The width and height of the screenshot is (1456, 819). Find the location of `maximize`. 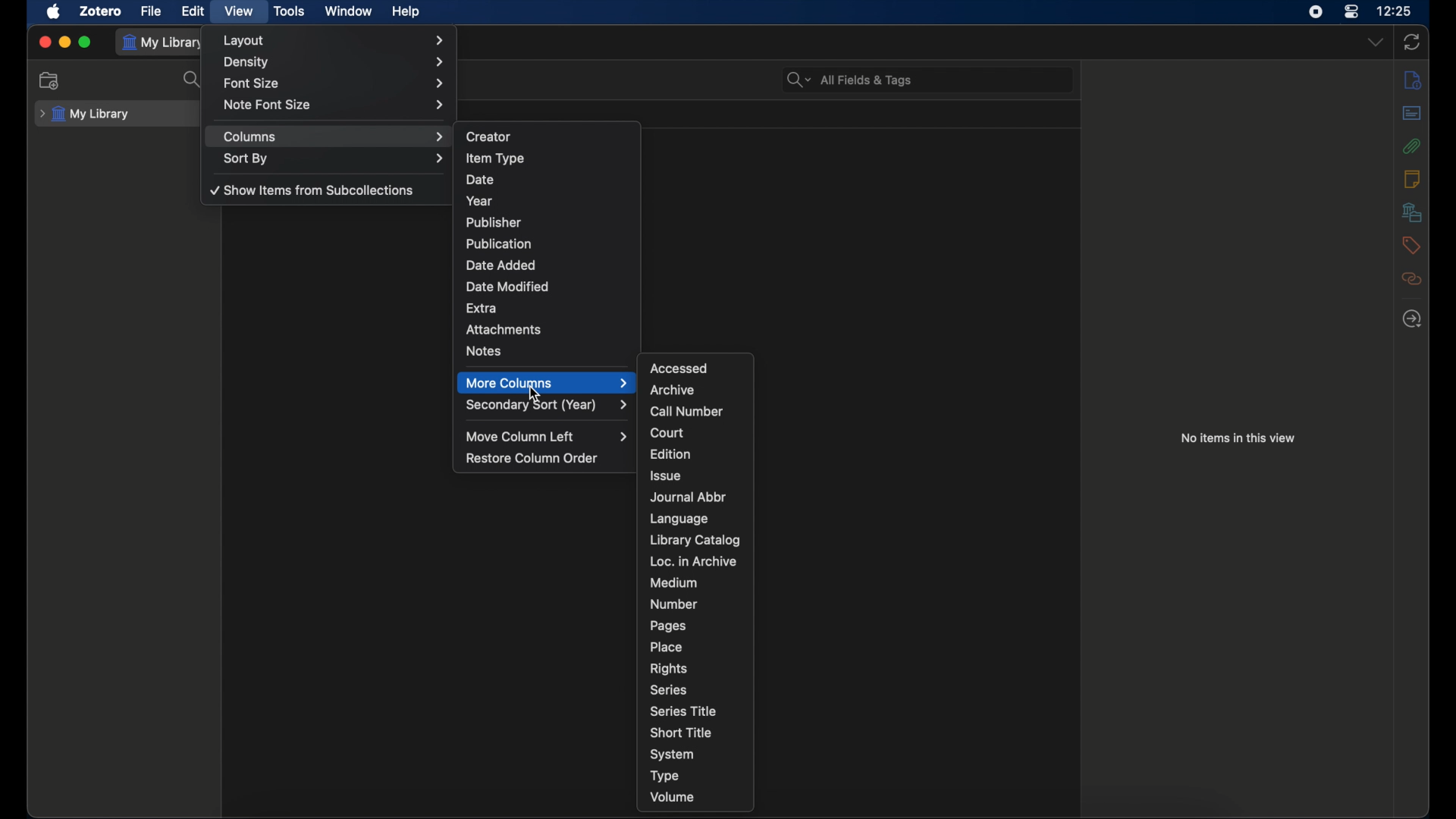

maximize is located at coordinates (86, 42).